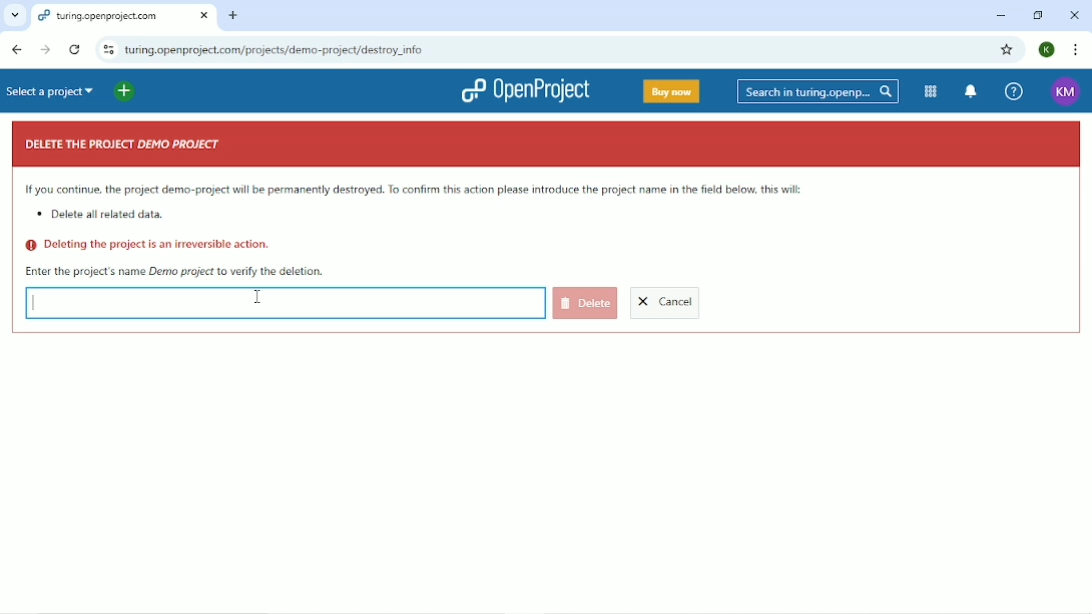  I want to click on Cursor, so click(261, 300).